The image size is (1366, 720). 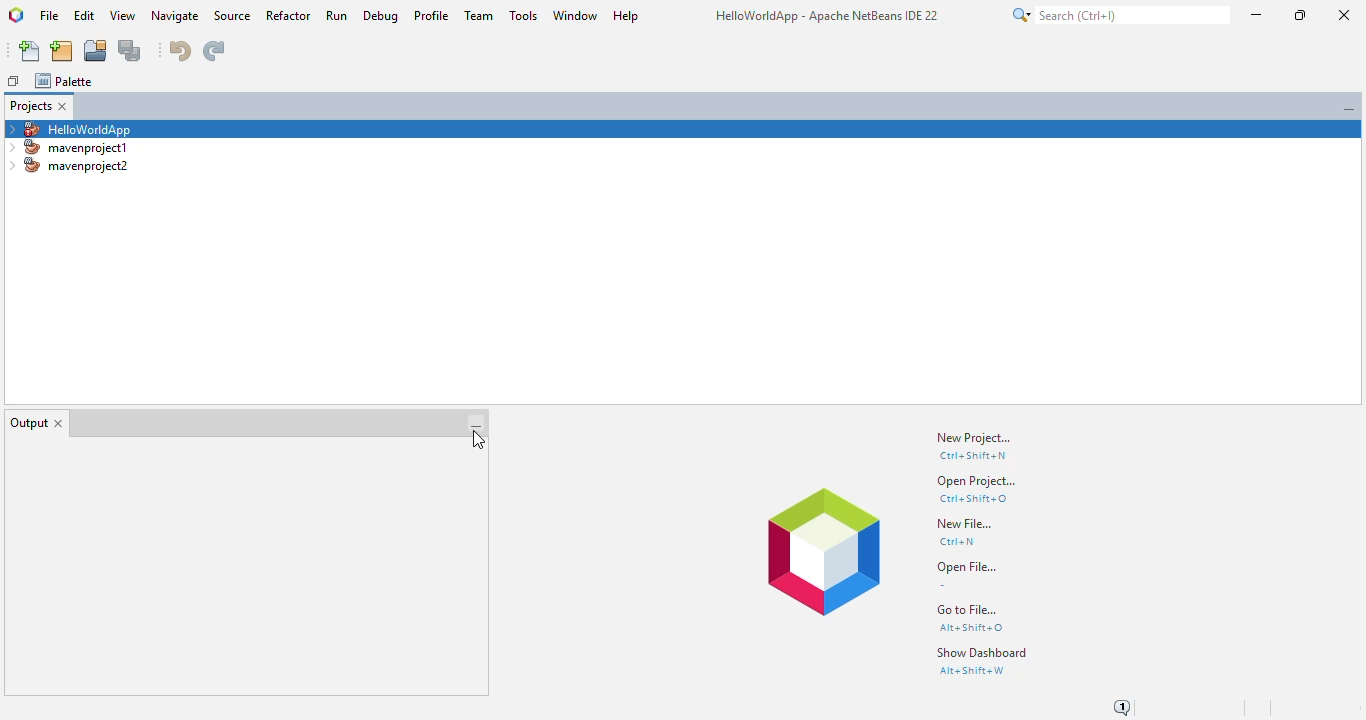 What do you see at coordinates (1258, 14) in the screenshot?
I see `minimize` at bounding box center [1258, 14].